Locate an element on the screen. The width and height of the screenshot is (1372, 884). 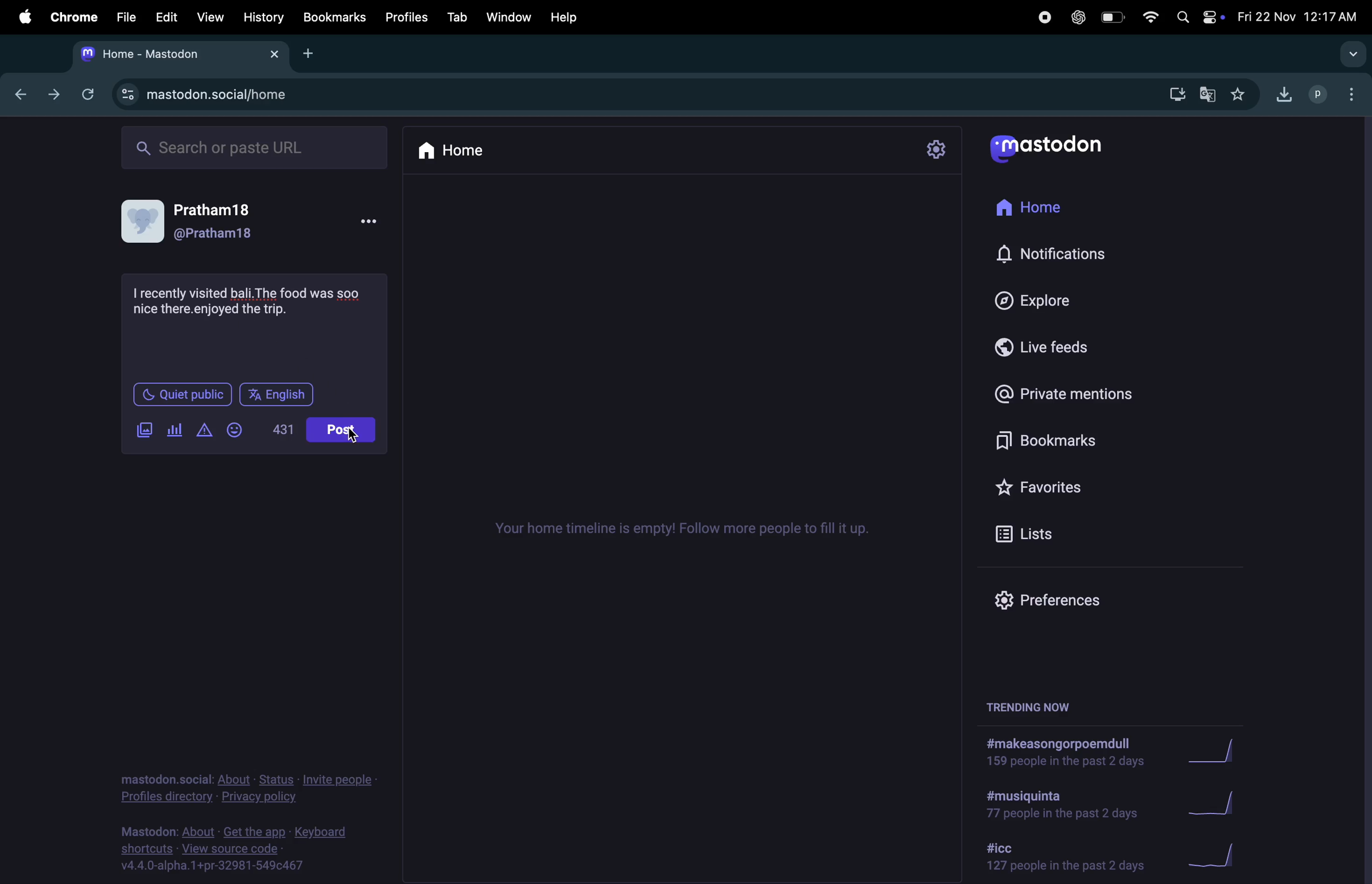
home is located at coordinates (1027, 207).